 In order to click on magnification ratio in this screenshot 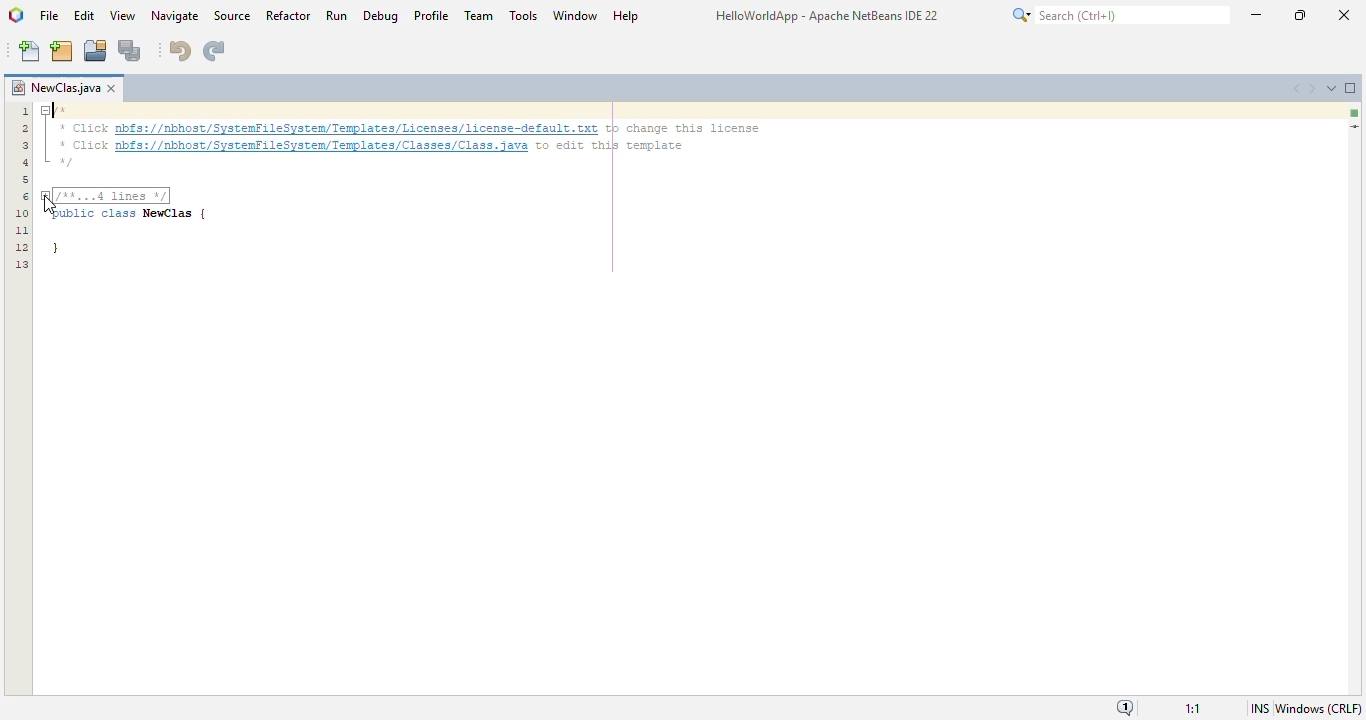, I will do `click(1193, 709)`.